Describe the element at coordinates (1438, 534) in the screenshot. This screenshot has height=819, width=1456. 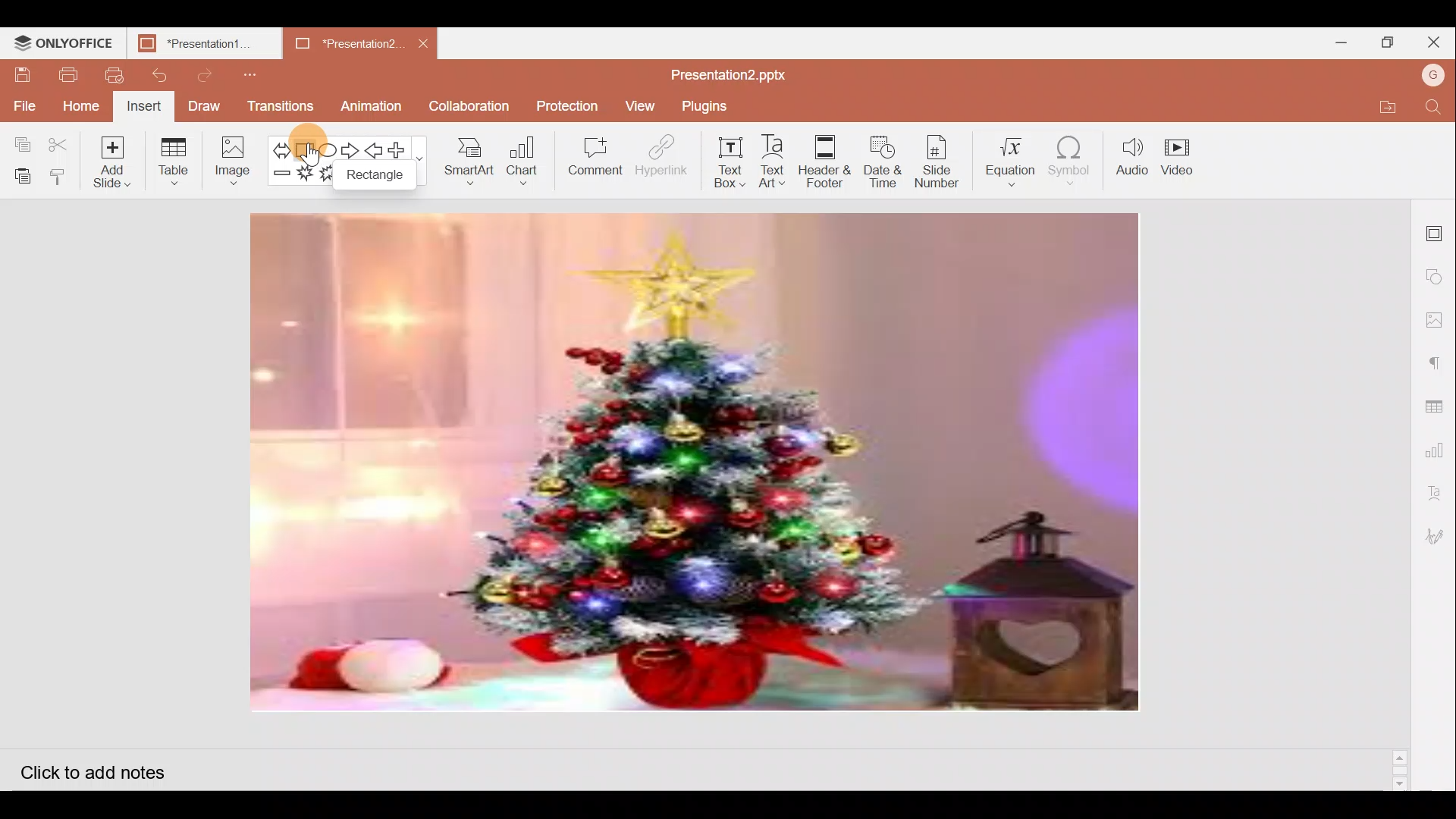
I see `Signature settings` at that location.